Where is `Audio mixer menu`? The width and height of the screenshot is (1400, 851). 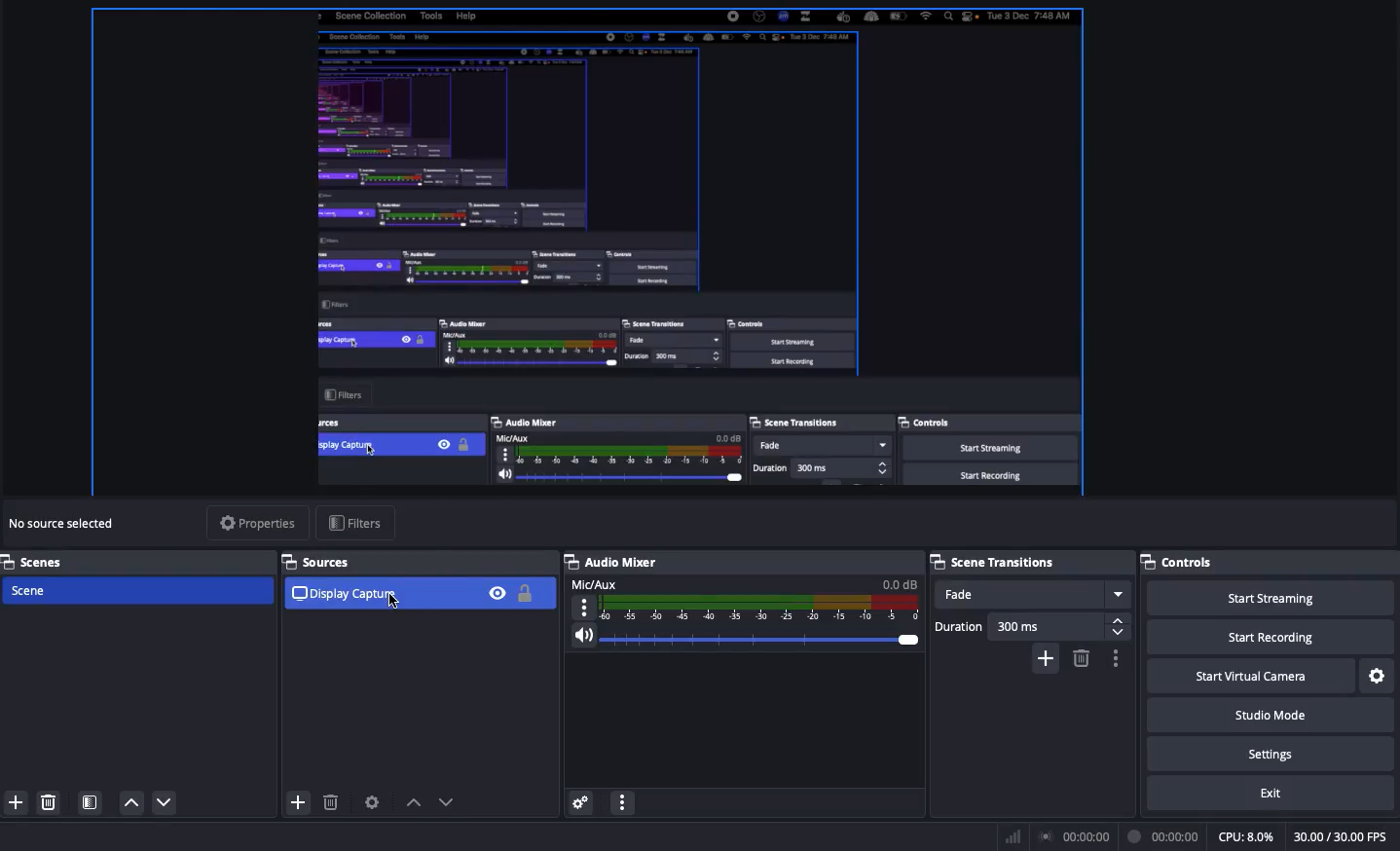 Audio mixer menu is located at coordinates (623, 800).